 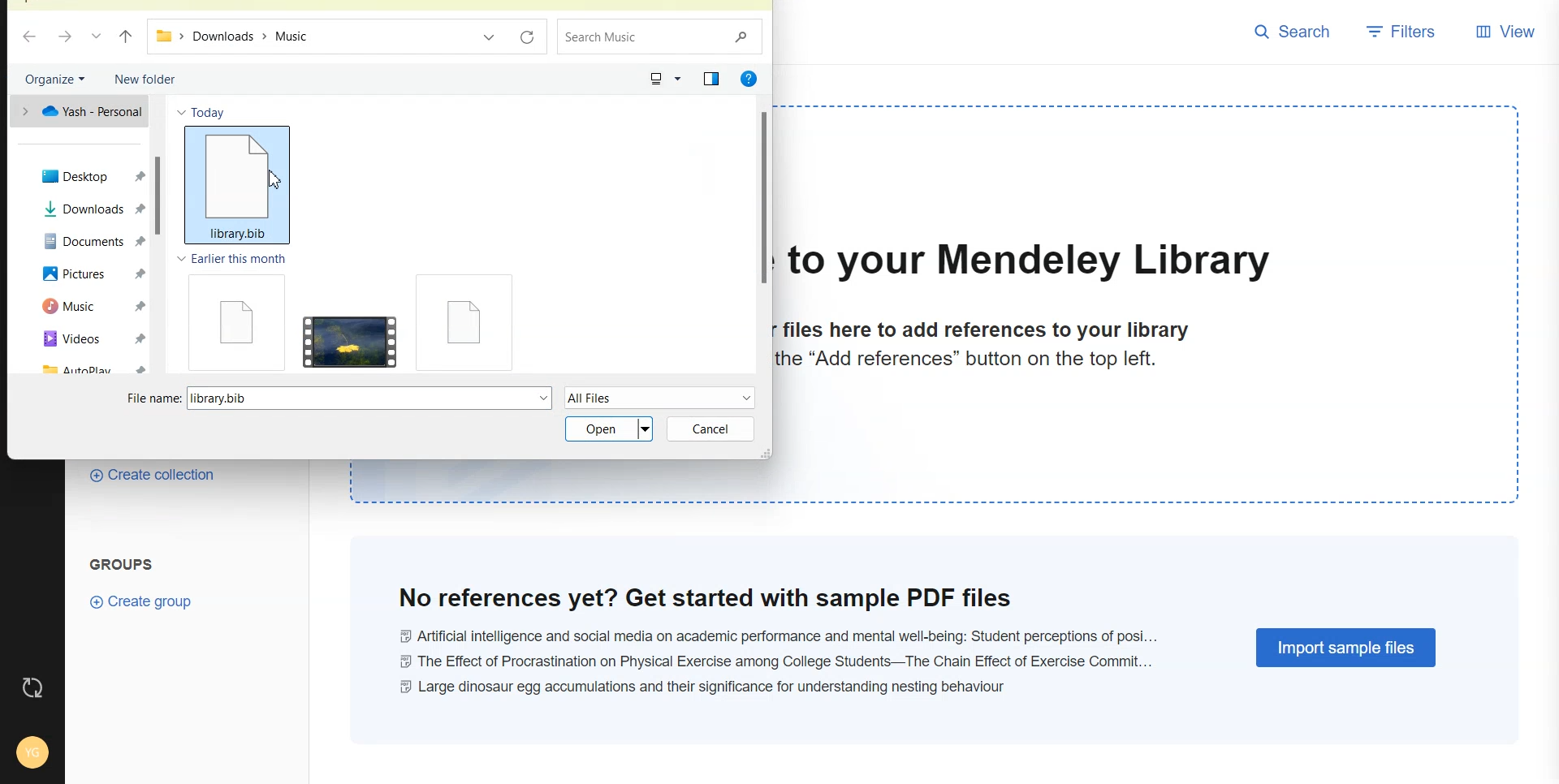 What do you see at coordinates (76, 111) in the screenshot?
I see `One drive file` at bounding box center [76, 111].